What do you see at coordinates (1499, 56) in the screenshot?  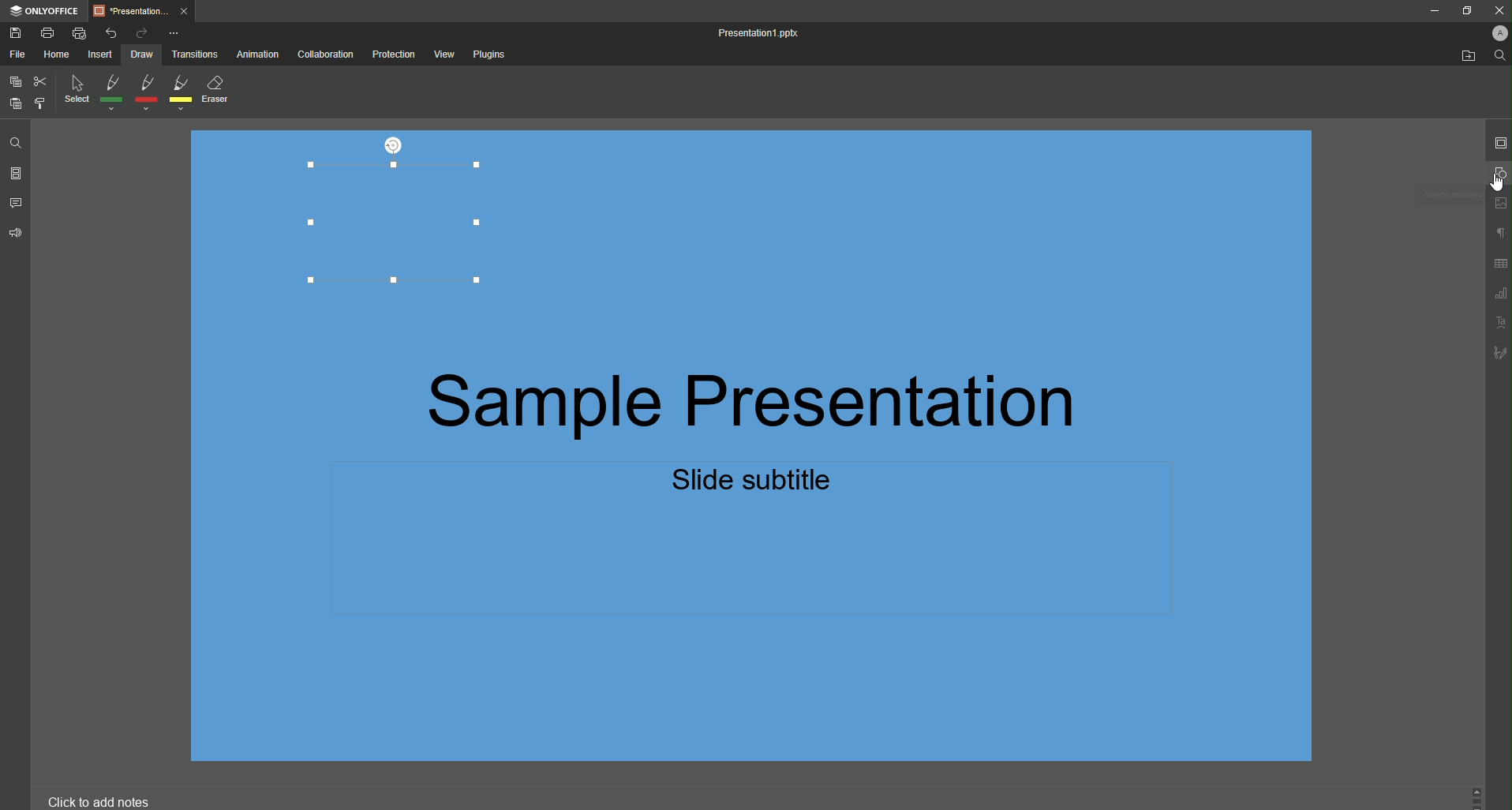 I see `Find` at bounding box center [1499, 56].